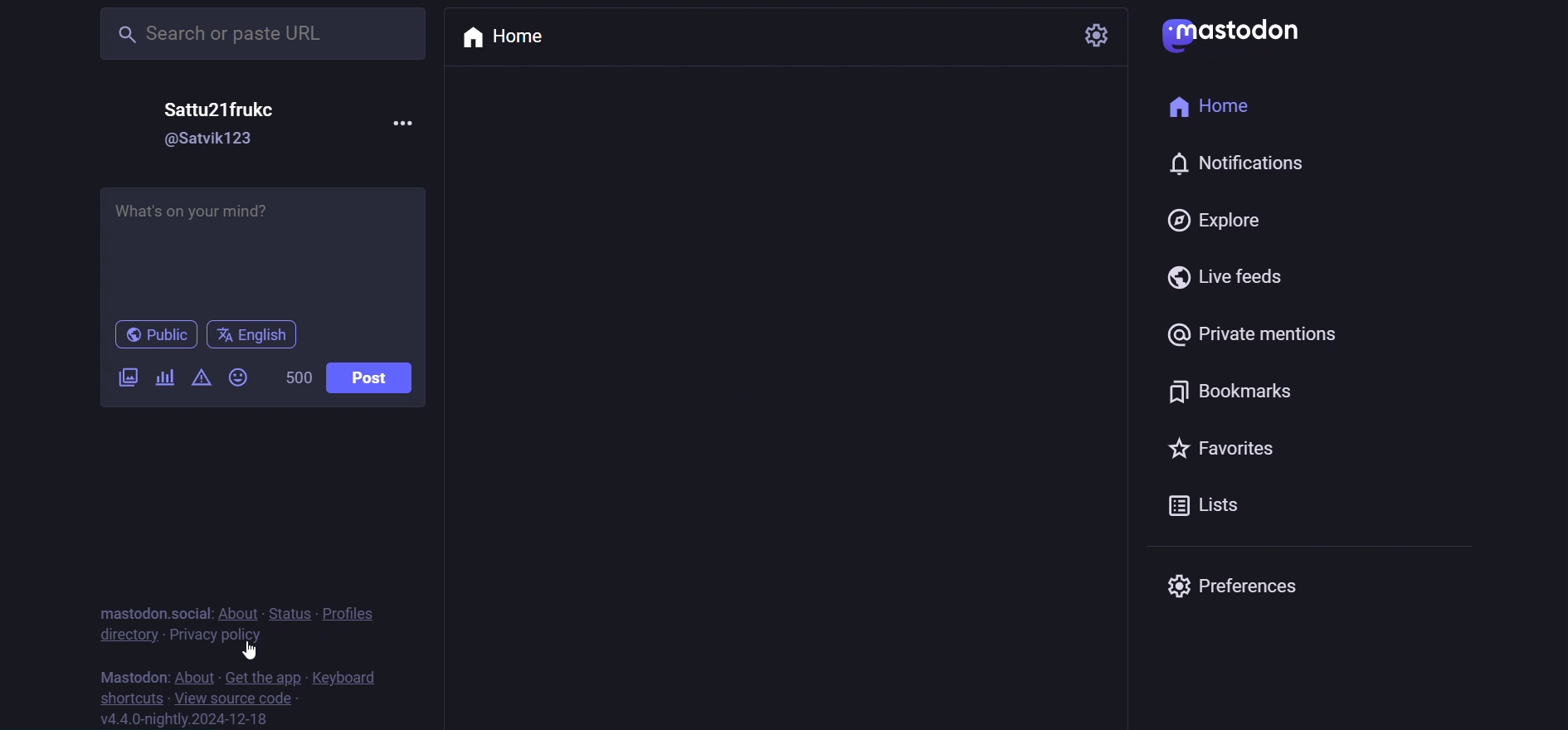  What do you see at coordinates (289, 606) in the screenshot?
I see `status` at bounding box center [289, 606].